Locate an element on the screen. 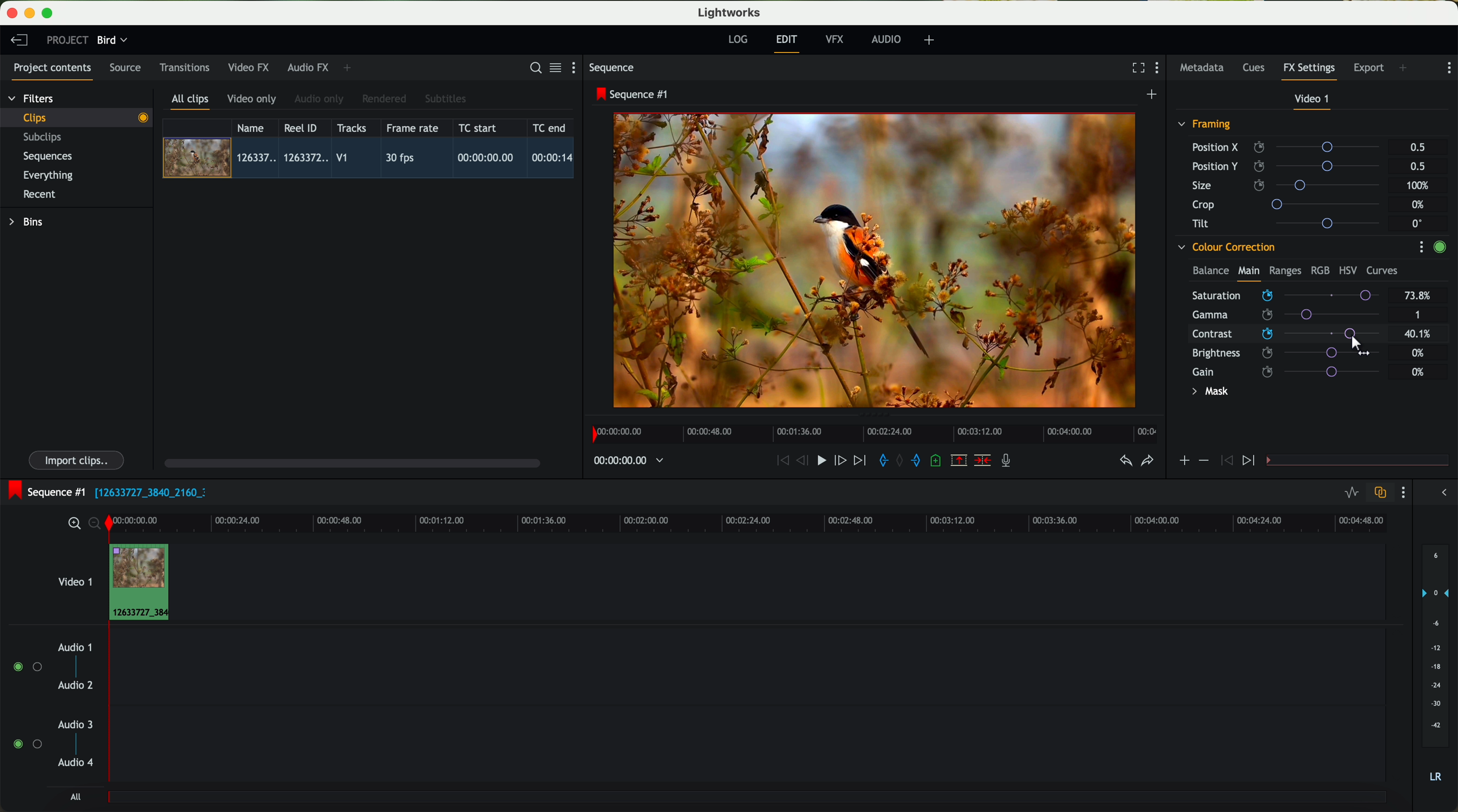 Image resolution: width=1458 pixels, height=812 pixels. edit is located at coordinates (788, 42).